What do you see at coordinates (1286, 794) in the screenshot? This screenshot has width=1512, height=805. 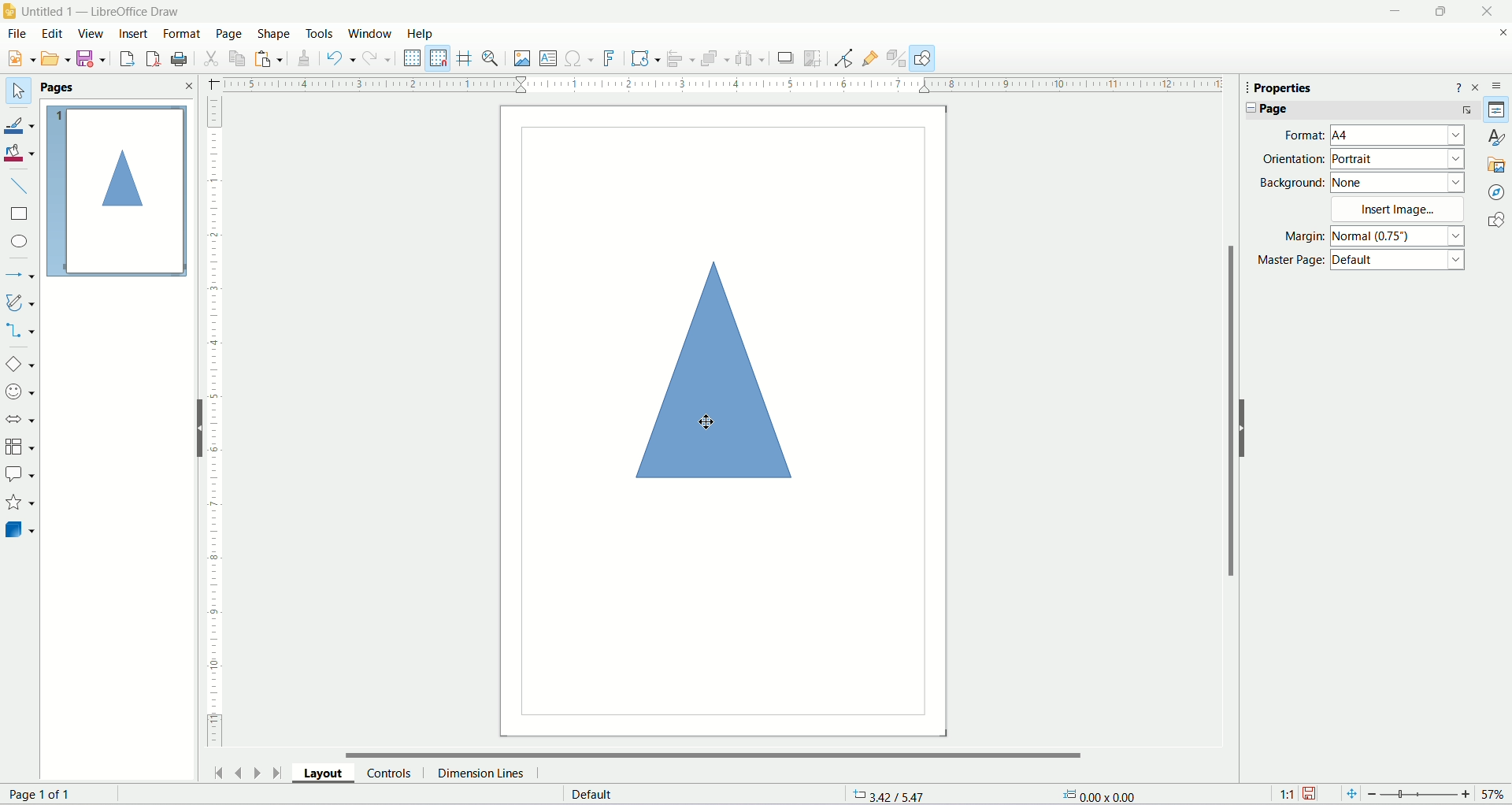 I see `Scale Factor` at bounding box center [1286, 794].